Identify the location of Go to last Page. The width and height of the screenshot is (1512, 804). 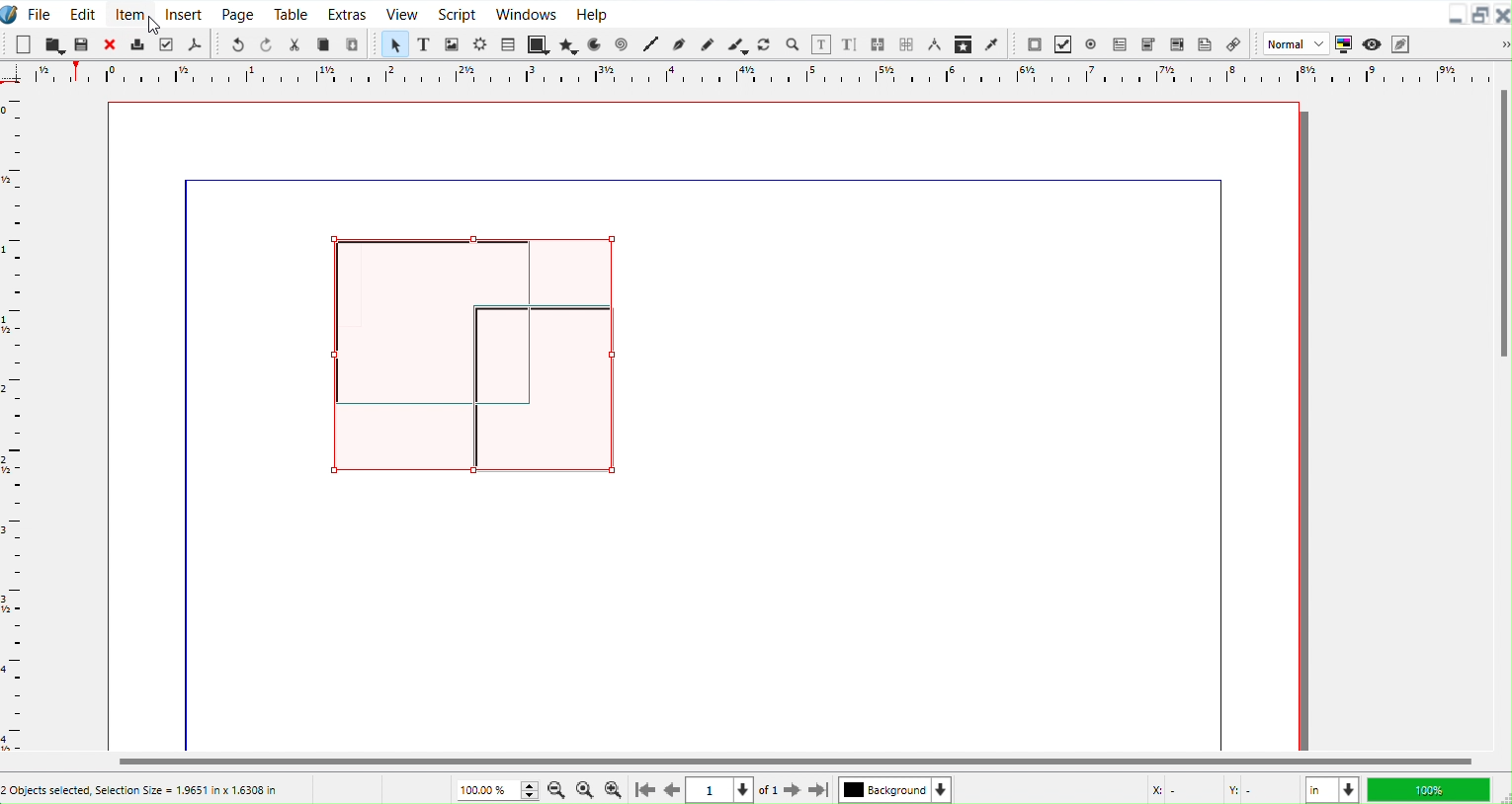
(820, 792).